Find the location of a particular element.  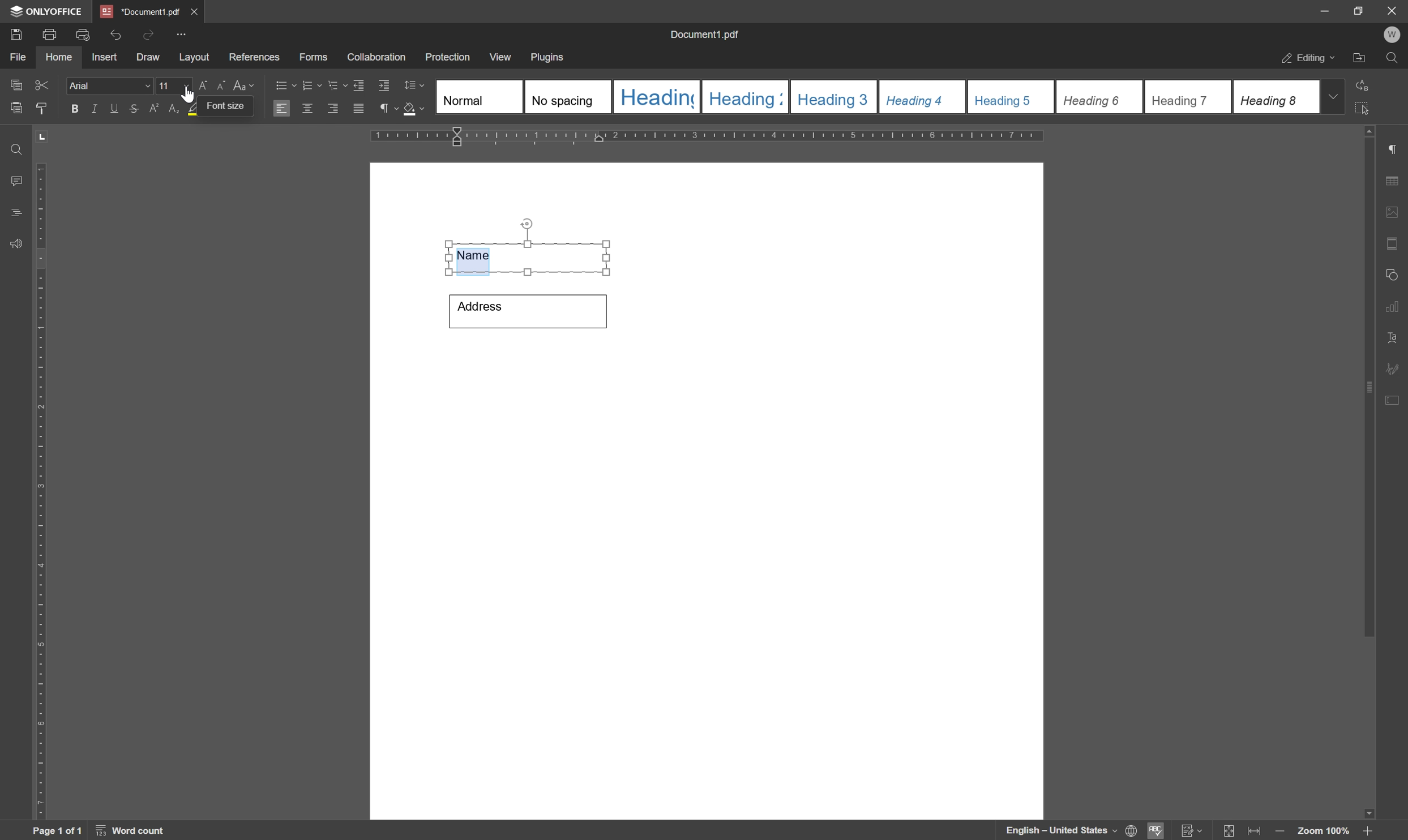

zoom in is located at coordinates (1366, 831).